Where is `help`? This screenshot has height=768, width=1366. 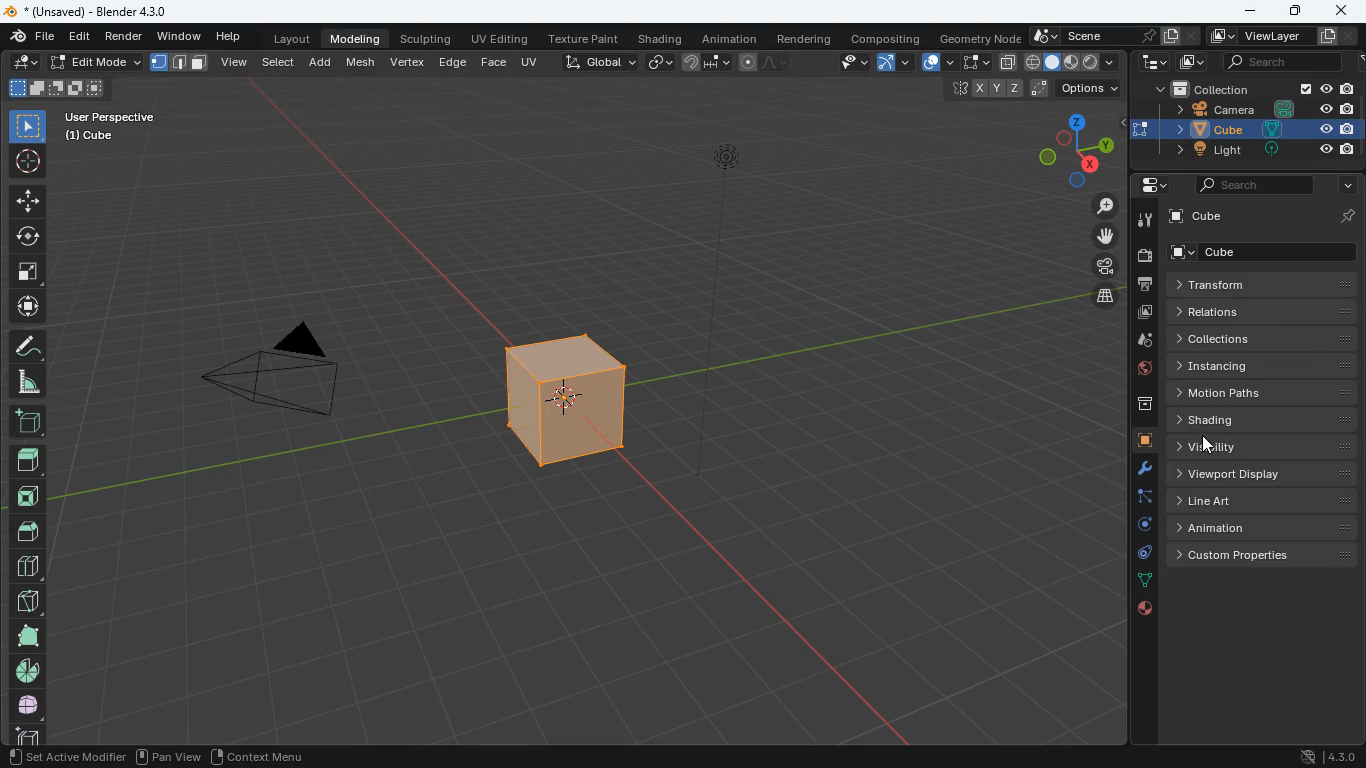
help is located at coordinates (228, 37).